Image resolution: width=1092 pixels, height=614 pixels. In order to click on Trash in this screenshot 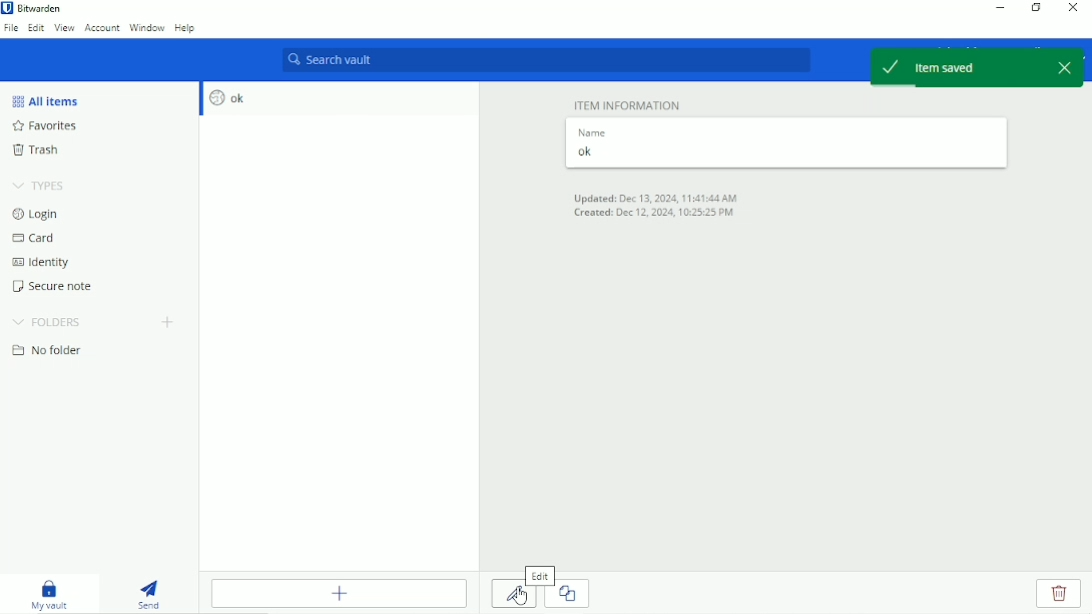, I will do `click(37, 150)`.